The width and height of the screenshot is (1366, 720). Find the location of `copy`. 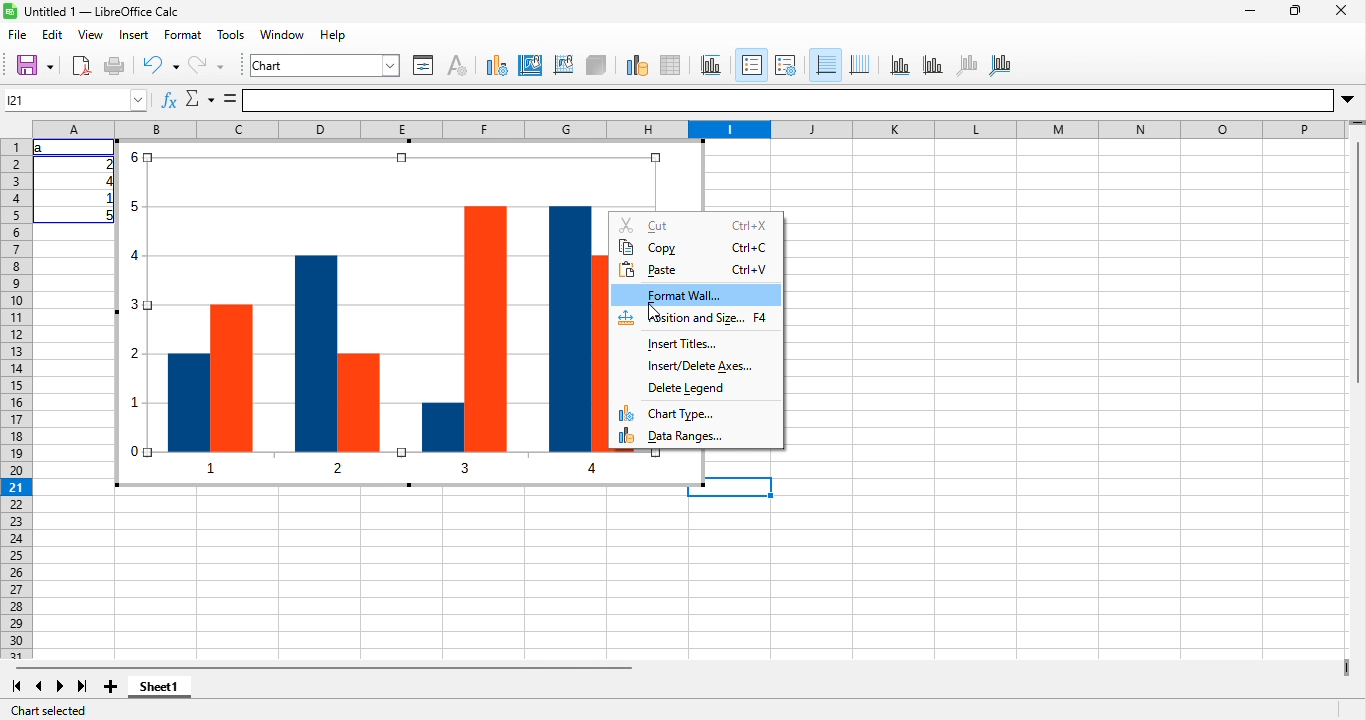

copy is located at coordinates (696, 247).